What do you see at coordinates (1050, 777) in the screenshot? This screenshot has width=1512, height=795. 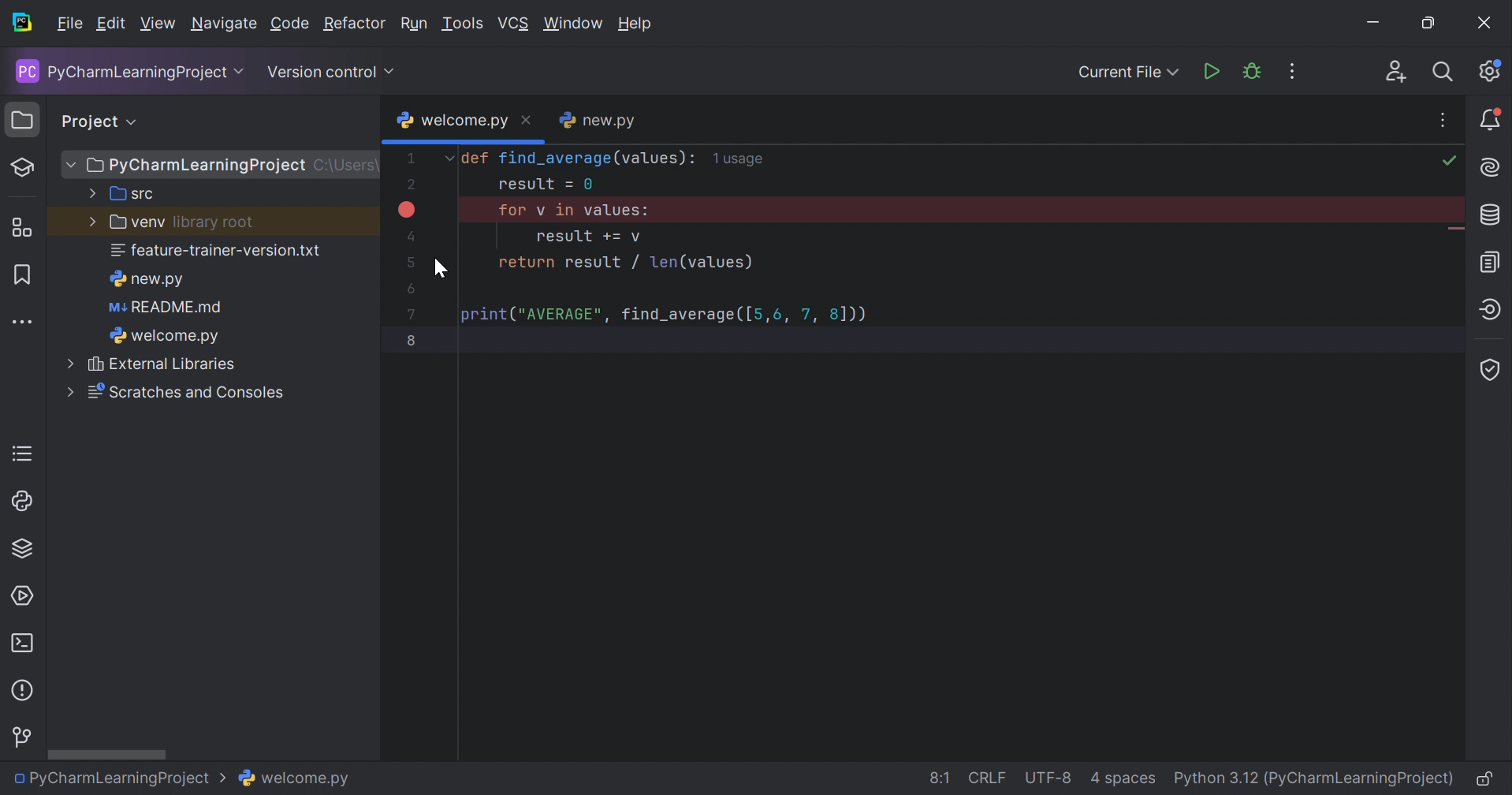 I see `UTF-8` at bounding box center [1050, 777].